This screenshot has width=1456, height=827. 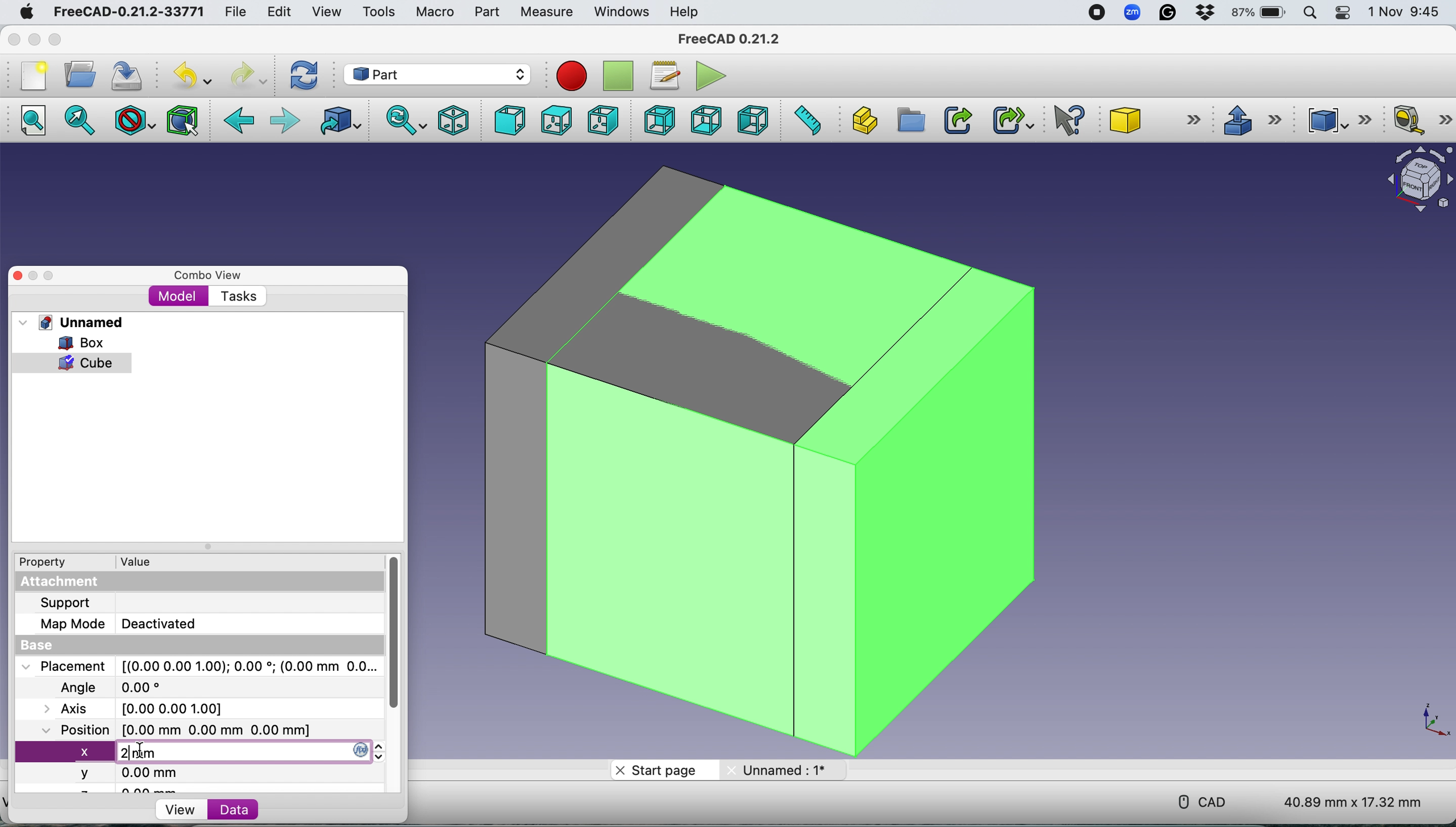 What do you see at coordinates (1433, 719) in the screenshot?
I see `x-y plane` at bounding box center [1433, 719].